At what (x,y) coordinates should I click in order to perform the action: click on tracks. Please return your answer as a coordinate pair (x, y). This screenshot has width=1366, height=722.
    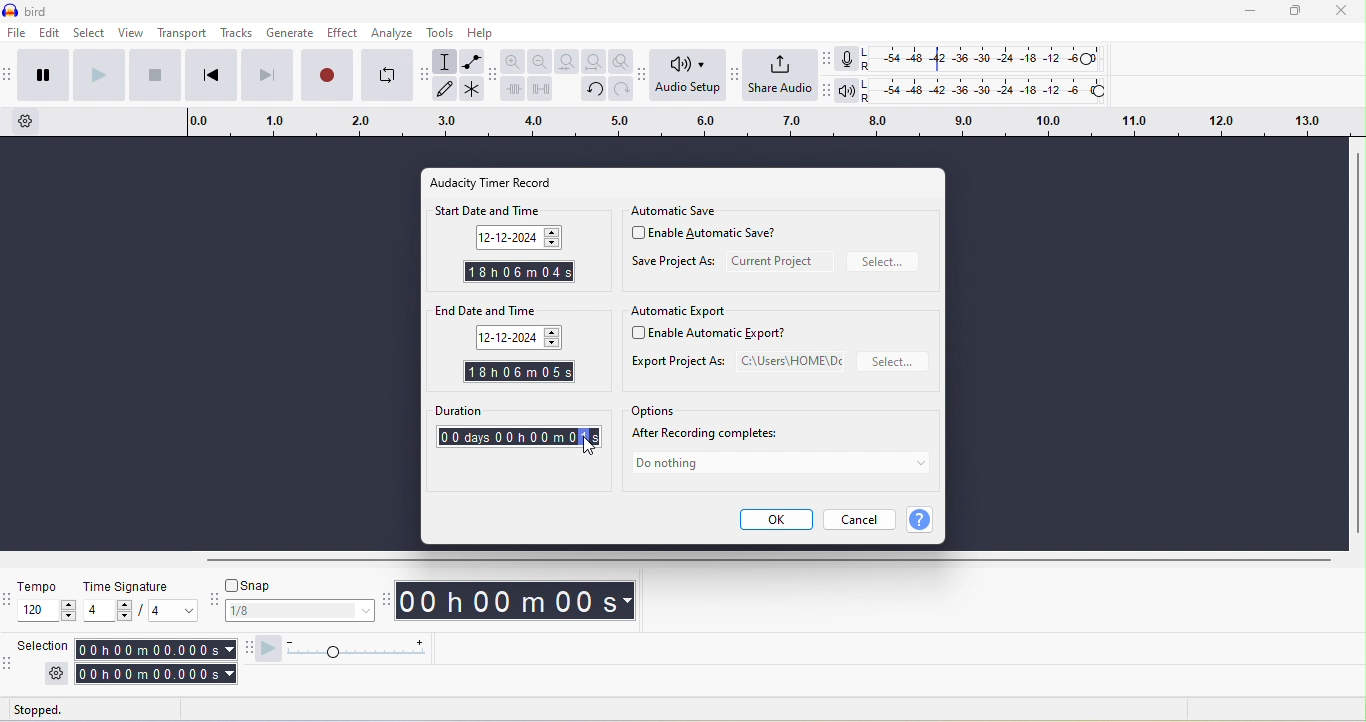
    Looking at the image, I should click on (240, 34).